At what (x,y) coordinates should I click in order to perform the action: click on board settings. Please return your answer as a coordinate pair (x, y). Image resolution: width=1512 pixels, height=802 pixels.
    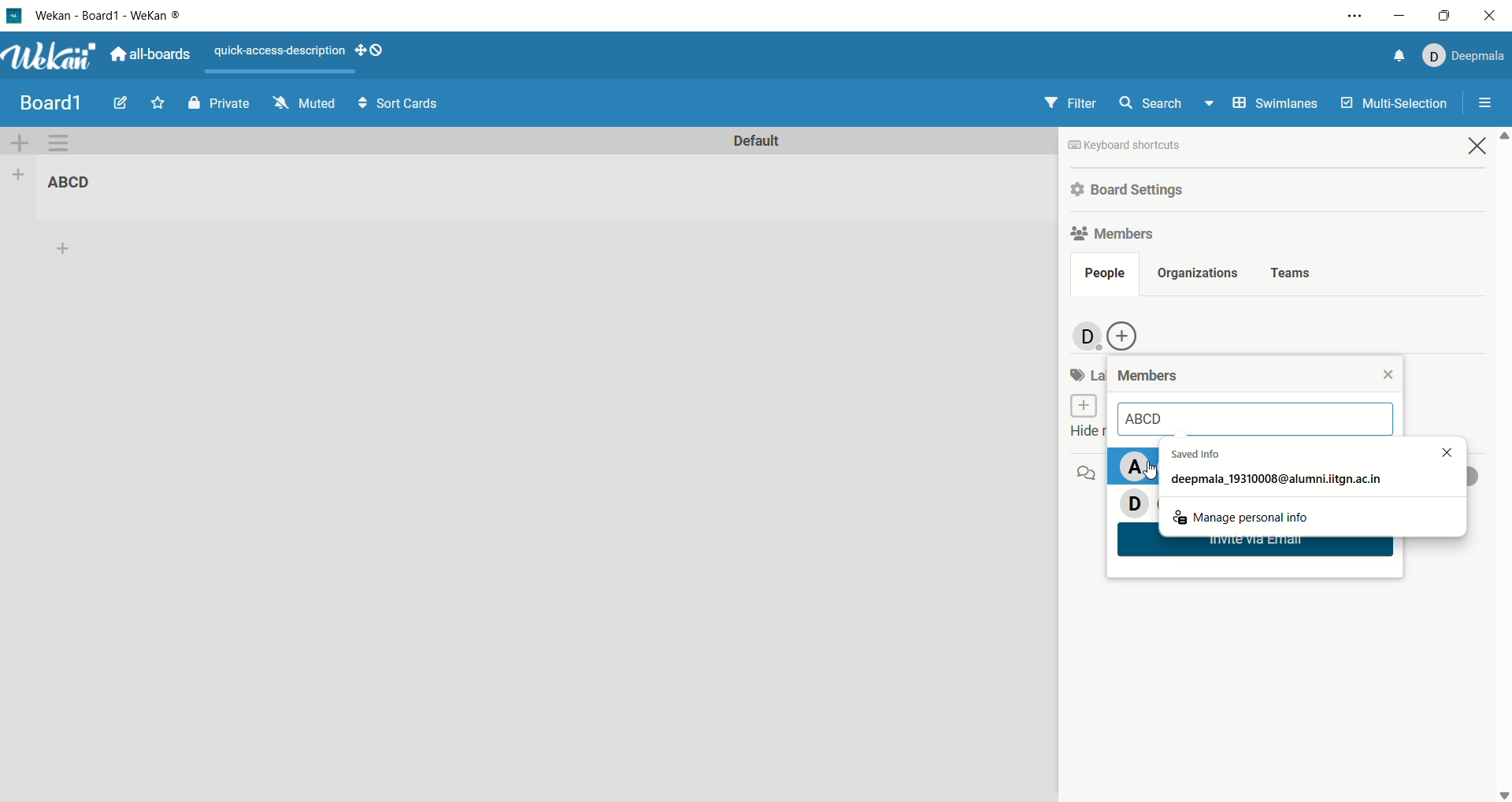
    Looking at the image, I should click on (1131, 191).